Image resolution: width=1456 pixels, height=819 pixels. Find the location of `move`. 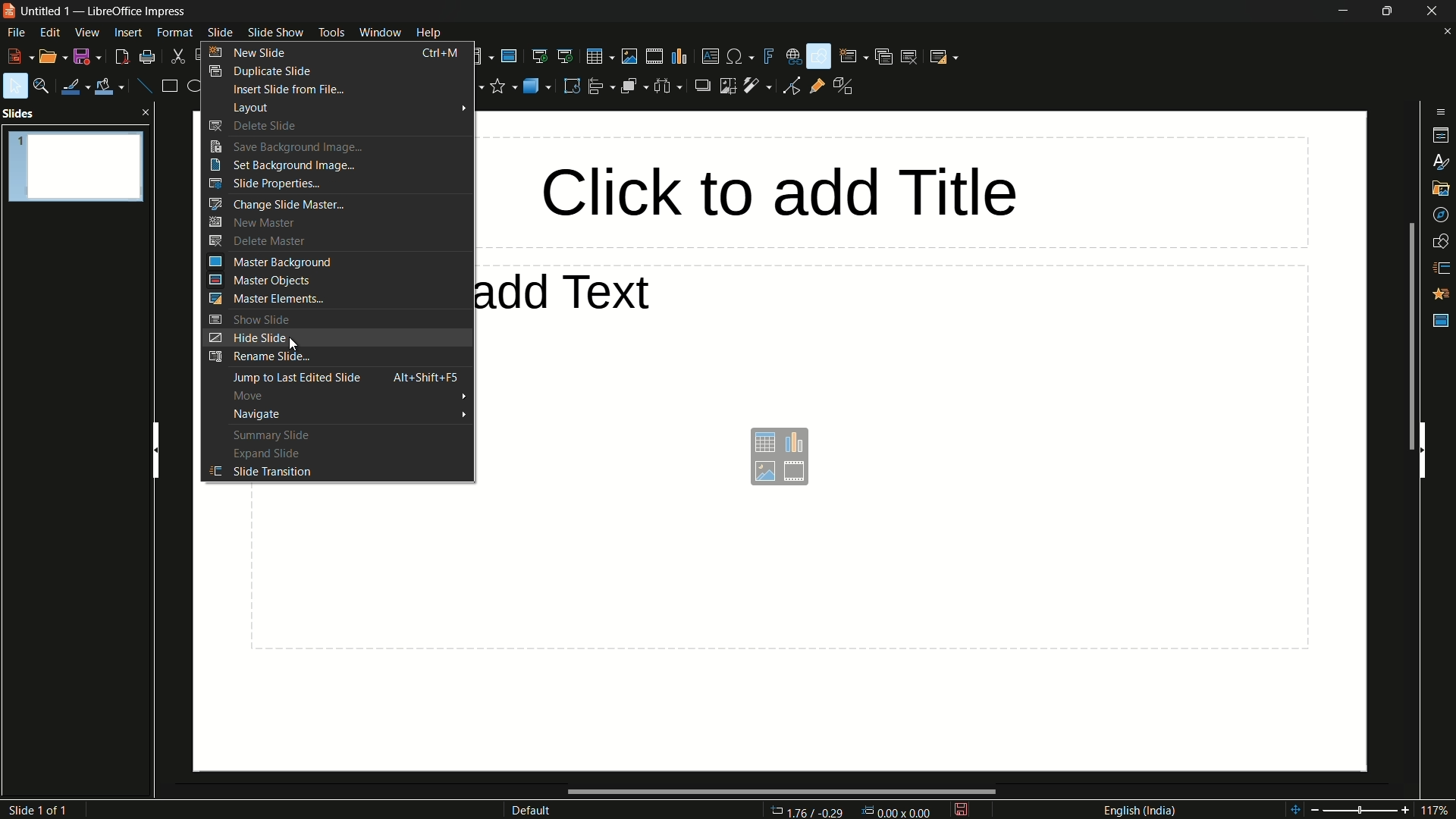

move is located at coordinates (349, 395).